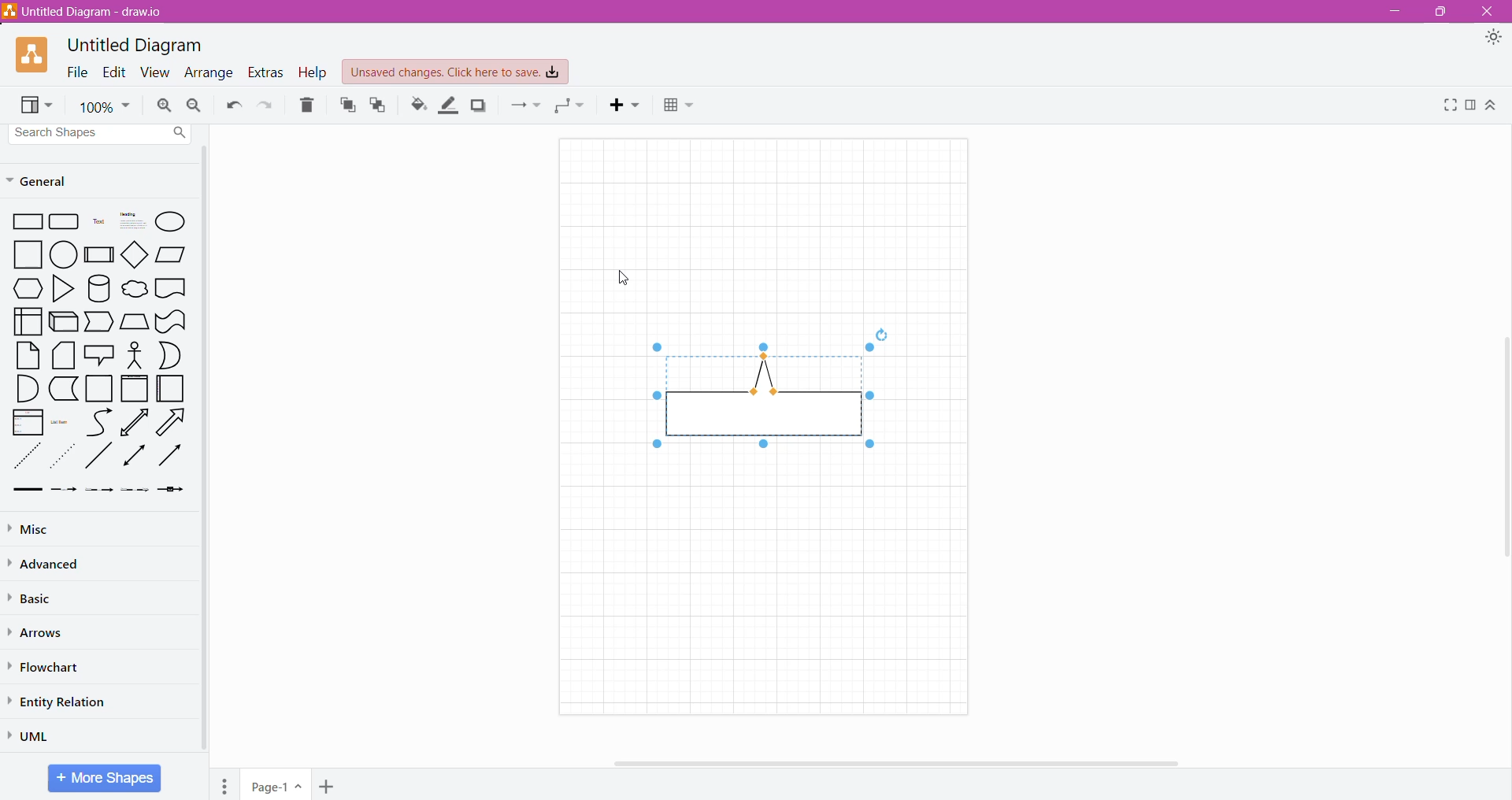 Image resolution: width=1512 pixels, height=800 pixels. Describe the element at coordinates (22, 255) in the screenshot. I see `Square` at that location.